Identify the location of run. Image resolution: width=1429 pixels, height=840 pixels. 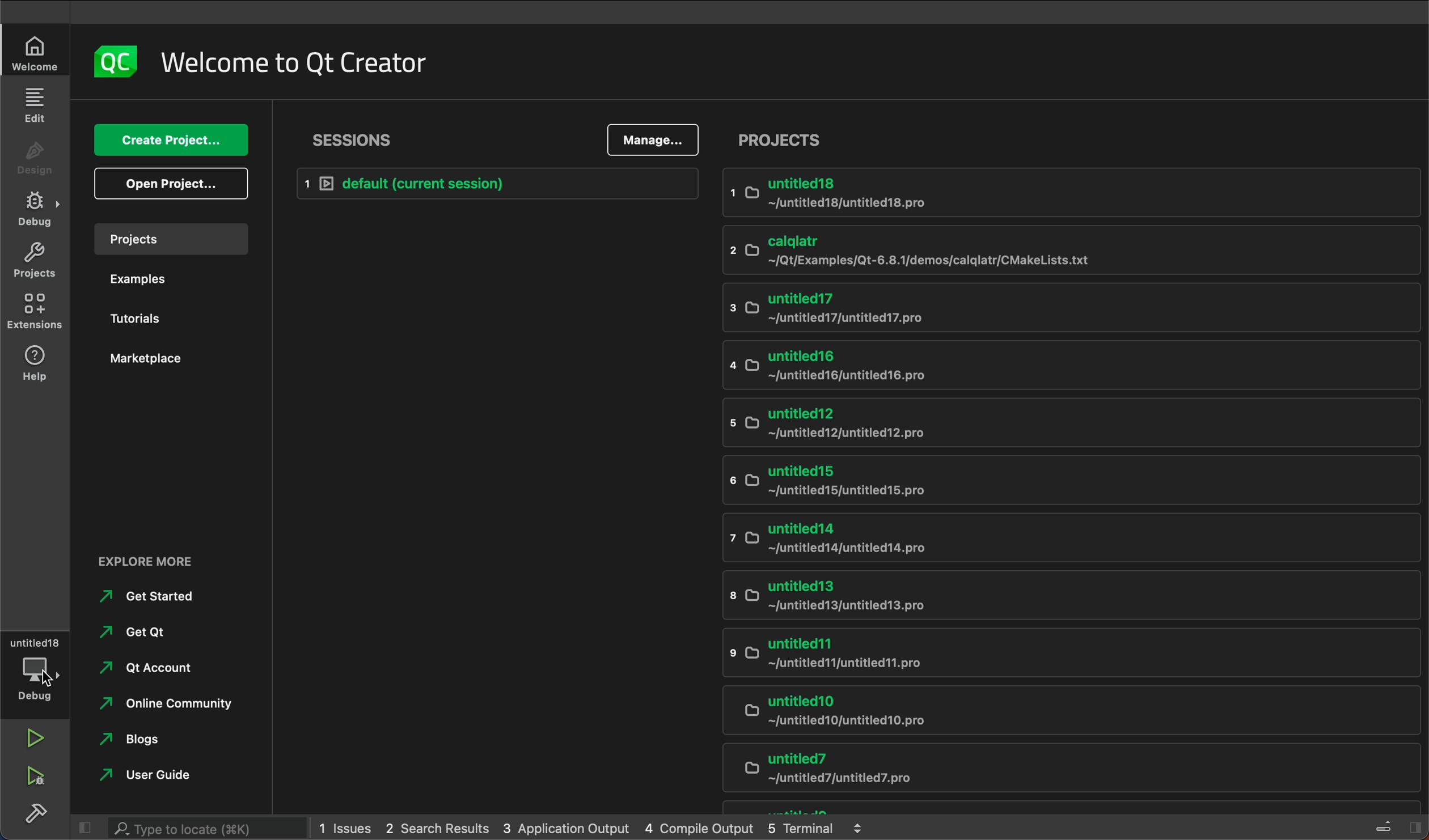
(32, 737).